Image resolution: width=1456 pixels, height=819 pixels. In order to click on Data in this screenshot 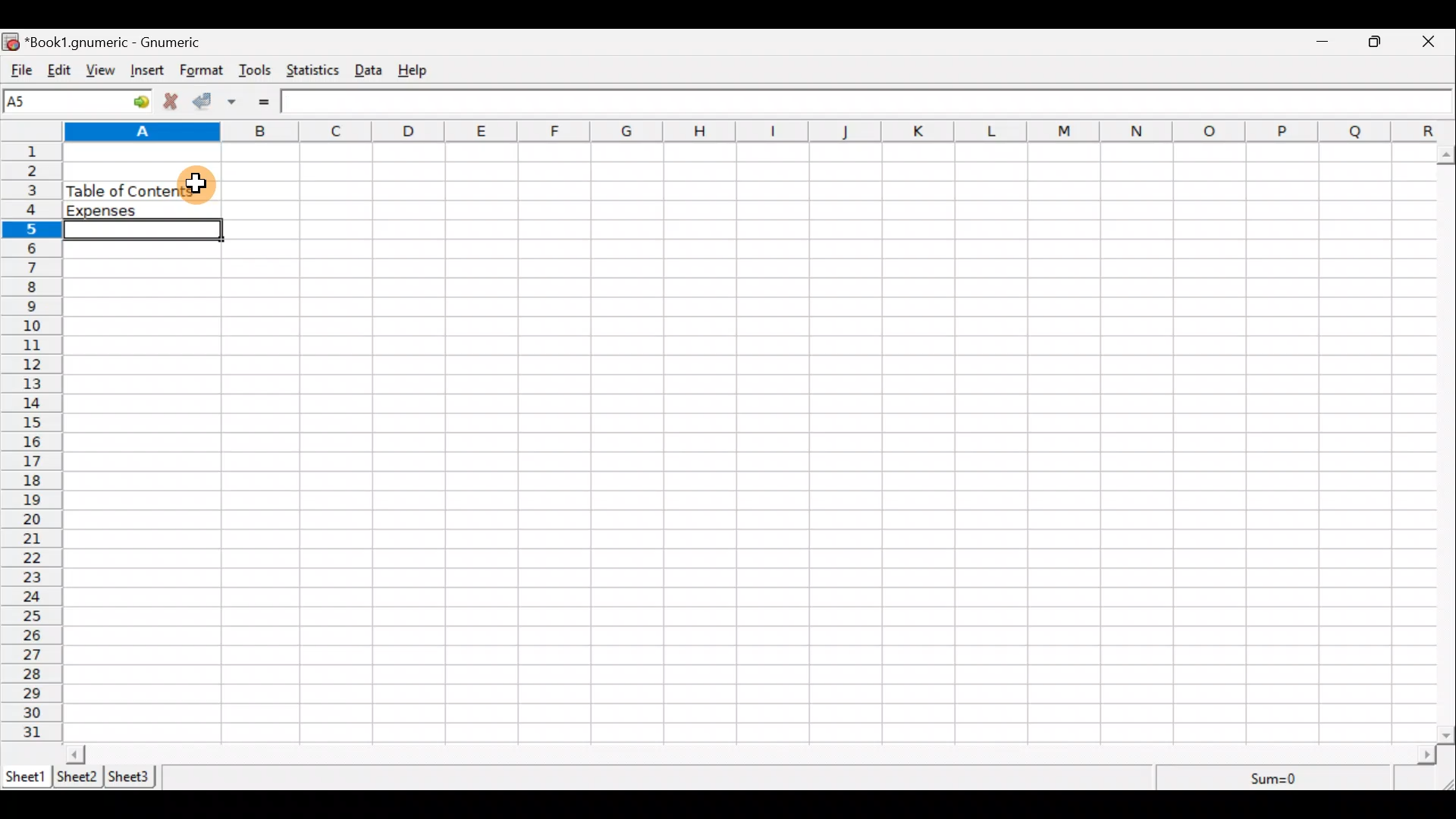, I will do `click(373, 71)`.